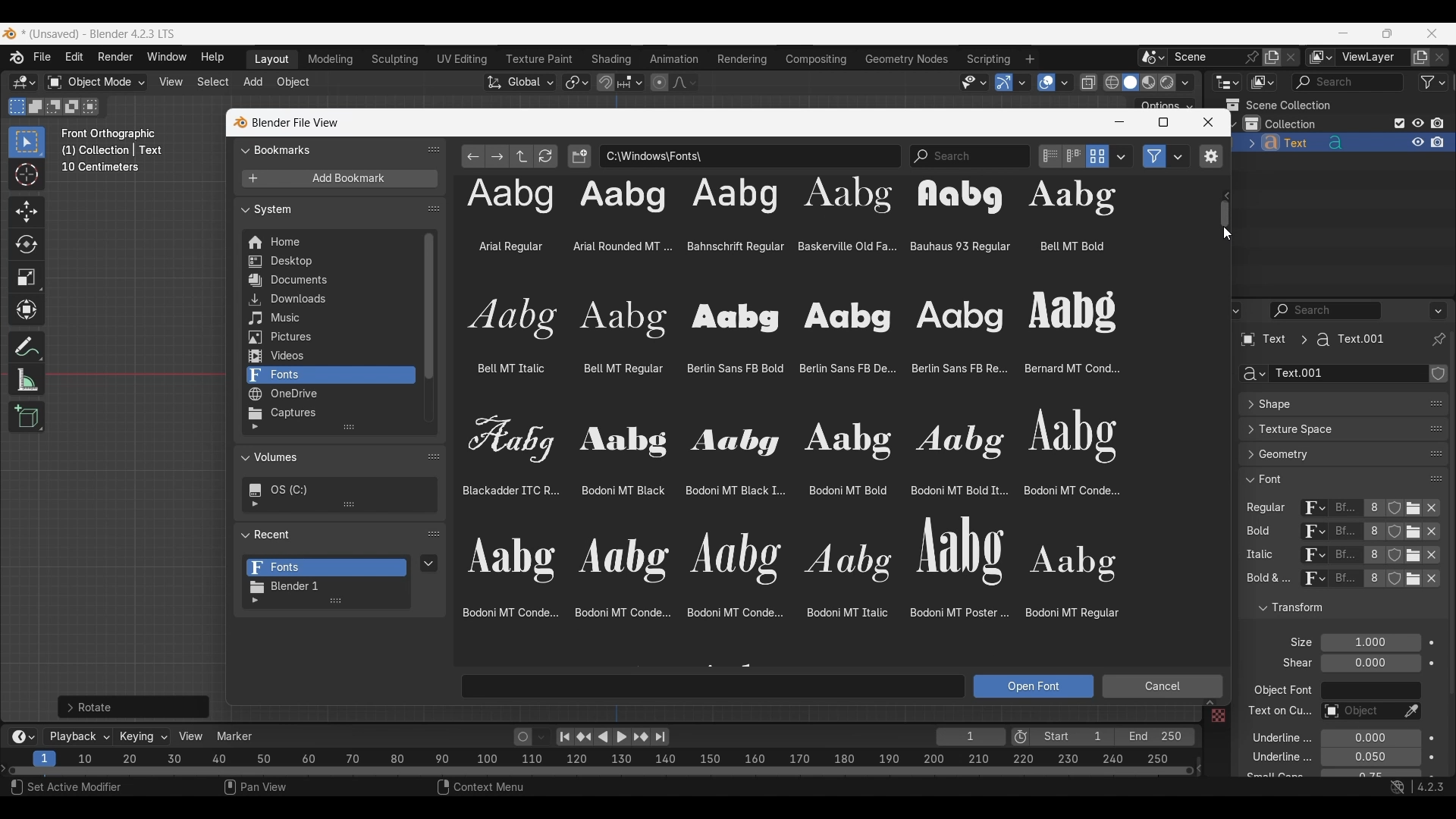 Image resolution: width=1456 pixels, height=819 pixels. Describe the element at coordinates (1046, 83) in the screenshot. I see `Show overlay` at that location.